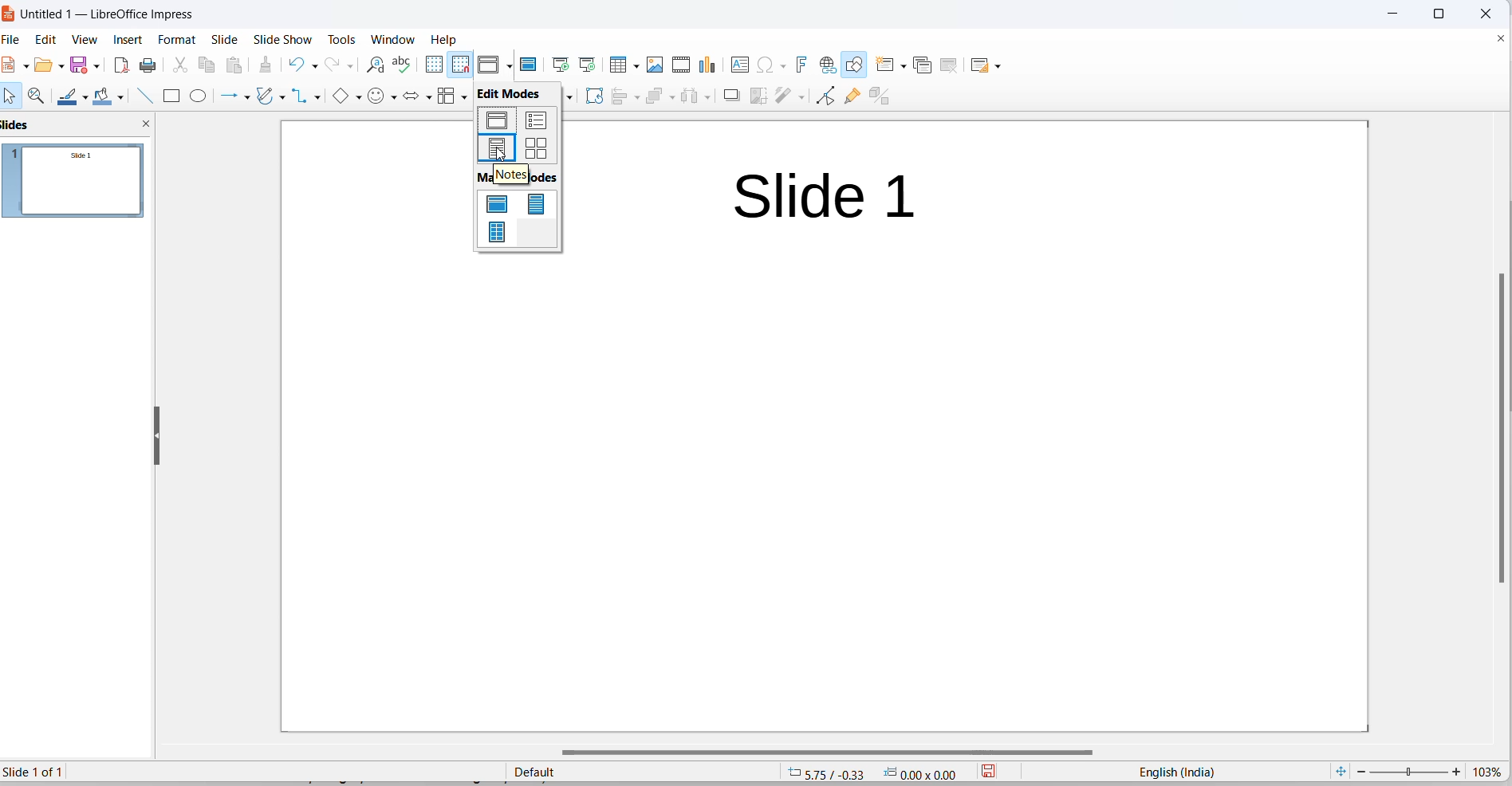 This screenshot has height=786, width=1512. What do you see at coordinates (25, 69) in the screenshot?
I see `new file options` at bounding box center [25, 69].